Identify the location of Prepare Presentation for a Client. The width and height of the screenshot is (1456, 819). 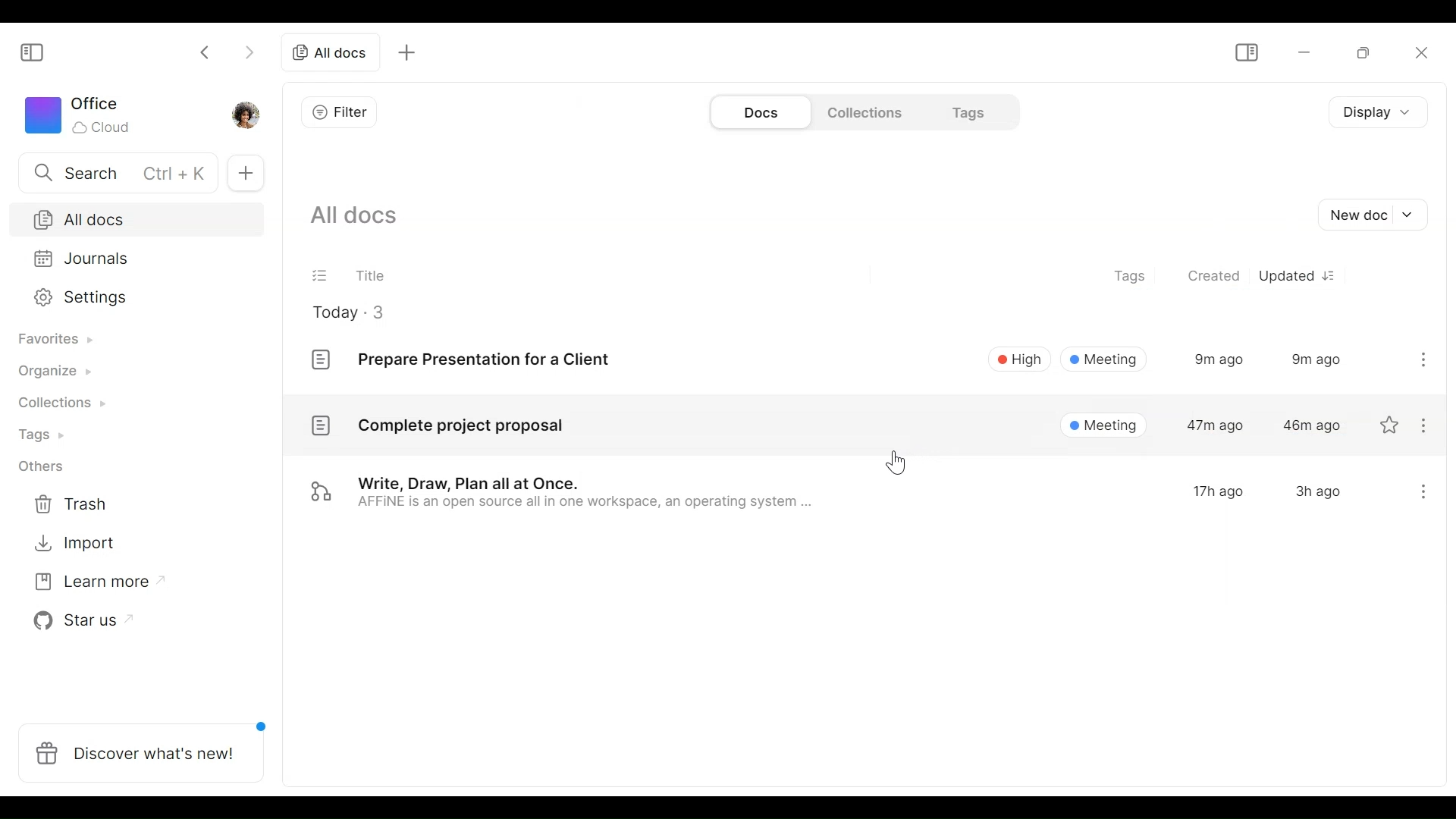
(463, 362).